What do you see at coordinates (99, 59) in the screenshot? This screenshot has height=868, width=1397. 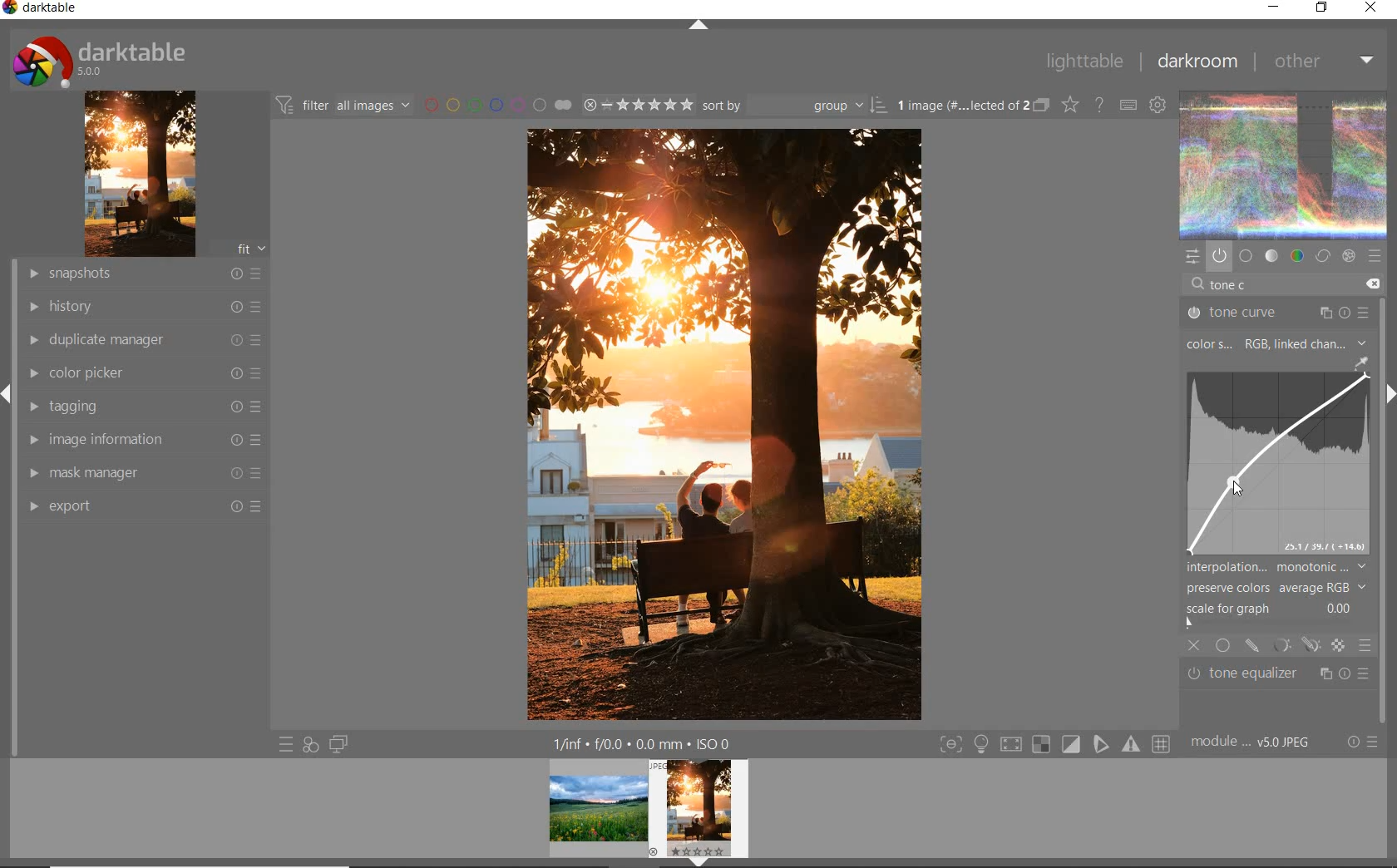 I see `darktable` at bounding box center [99, 59].